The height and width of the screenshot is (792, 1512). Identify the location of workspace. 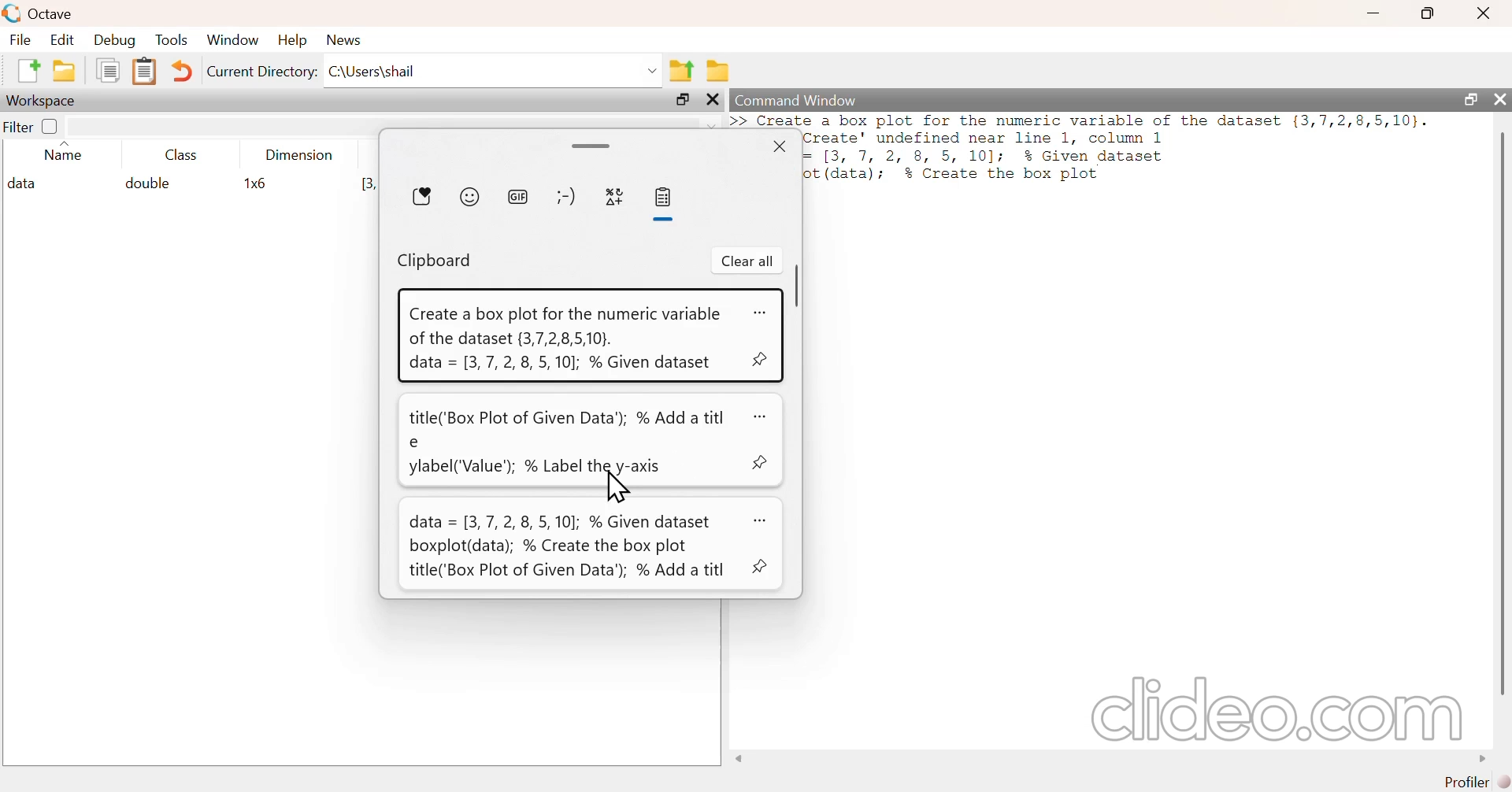
(42, 99).